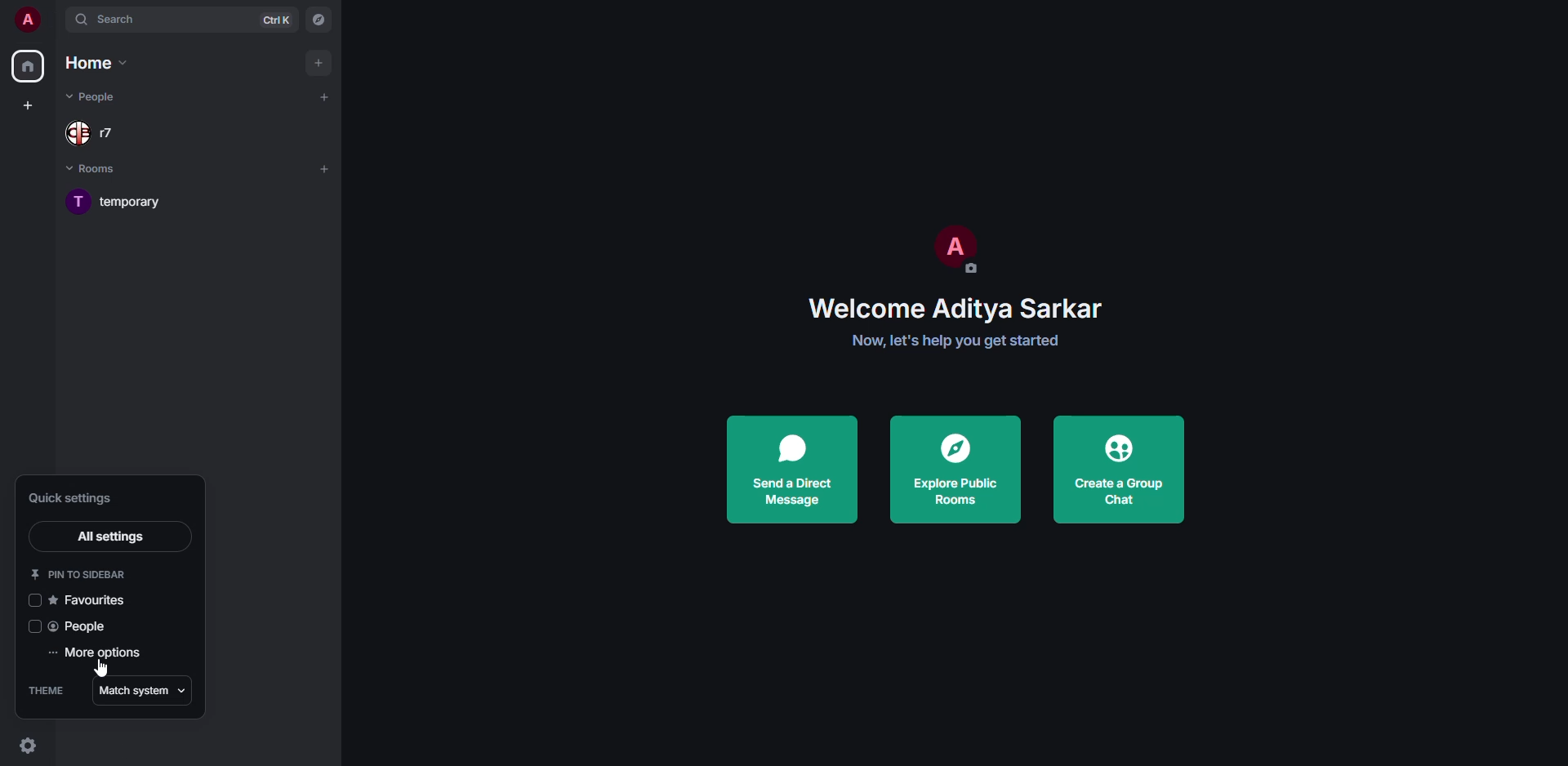  Describe the element at coordinates (82, 626) in the screenshot. I see `people` at that location.